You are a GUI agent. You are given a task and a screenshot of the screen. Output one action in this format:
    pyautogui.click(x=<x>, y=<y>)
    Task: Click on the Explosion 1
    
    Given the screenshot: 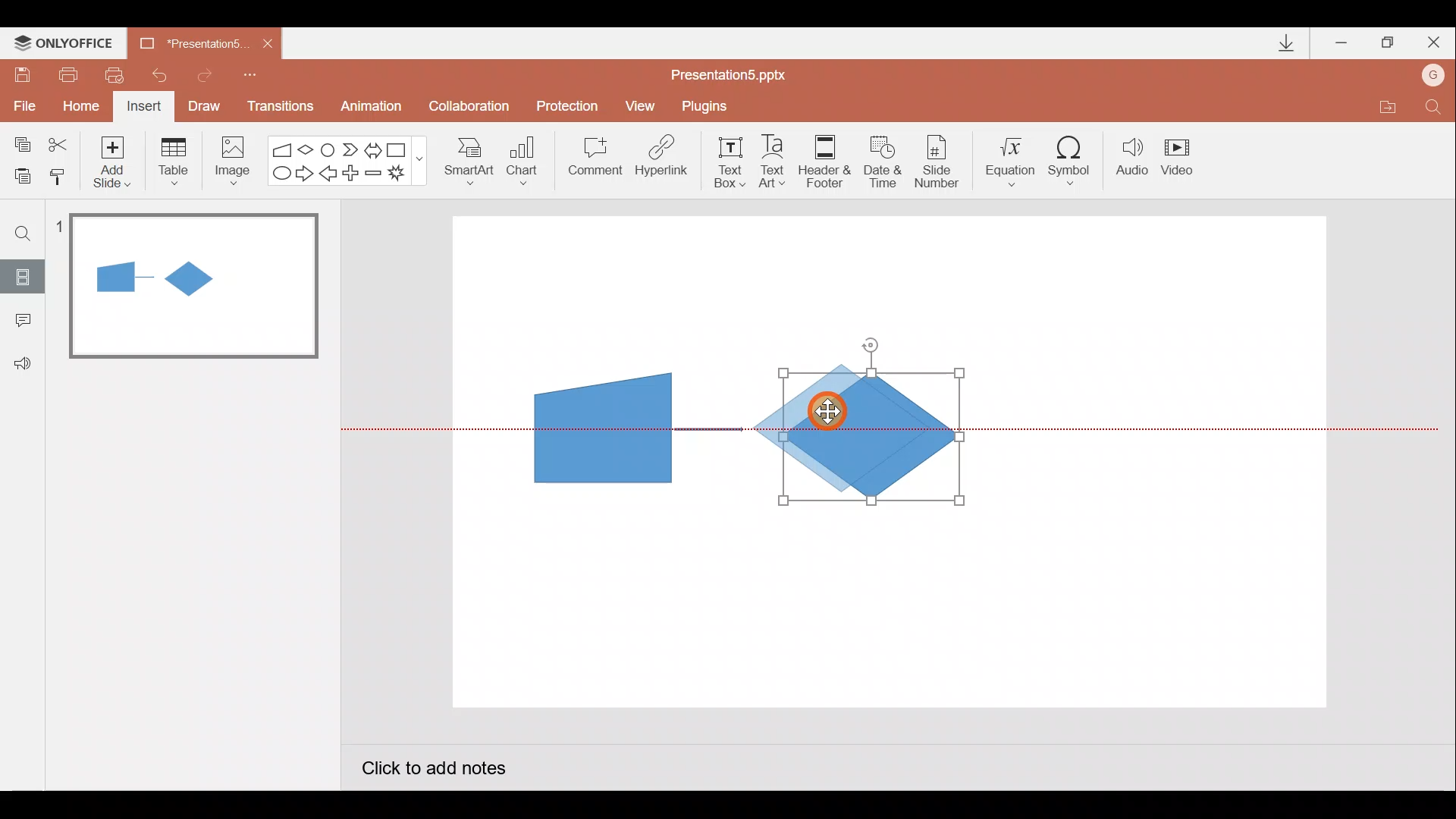 What is the action you would take?
    pyautogui.click(x=406, y=175)
    